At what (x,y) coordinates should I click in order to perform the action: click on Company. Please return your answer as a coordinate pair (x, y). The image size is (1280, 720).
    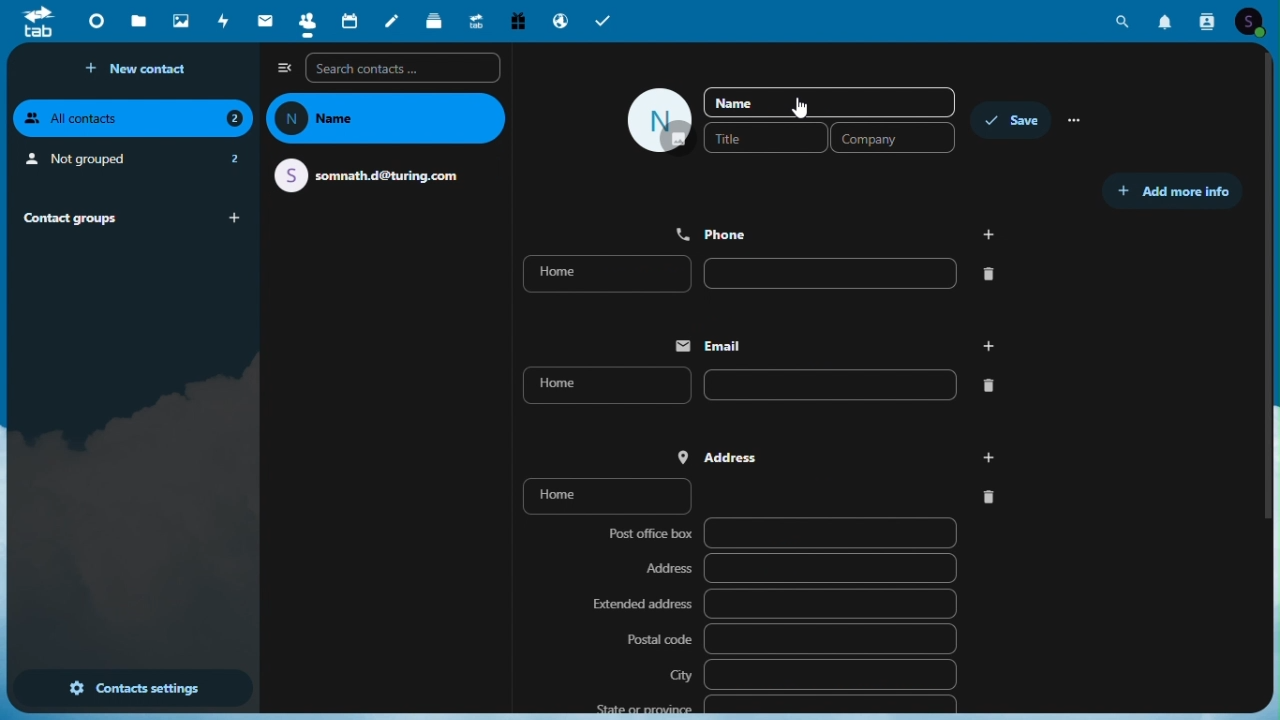
    Looking at the image, I should click on (894, 138).